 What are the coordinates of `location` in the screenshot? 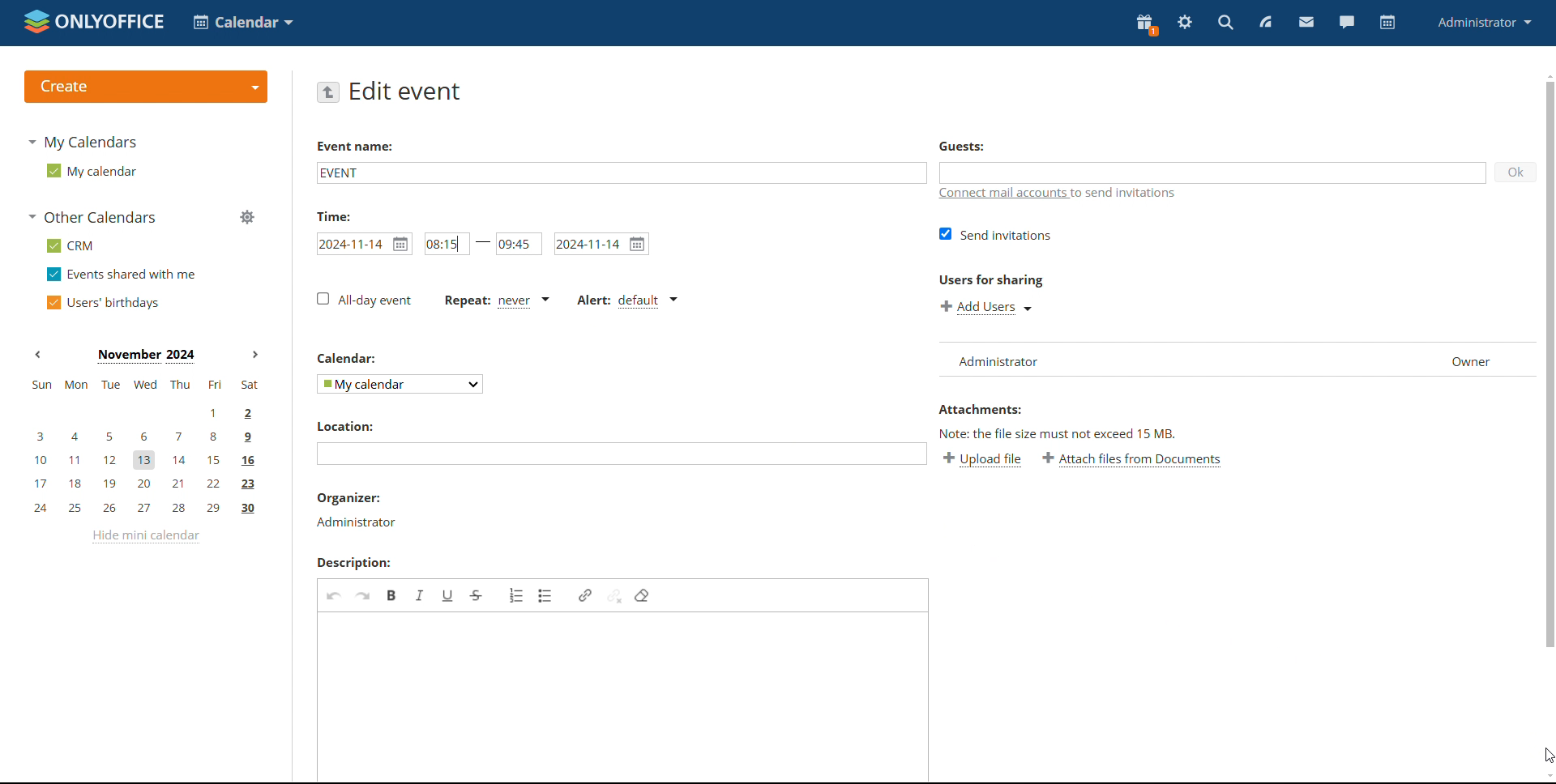 It's located at (344, 425).